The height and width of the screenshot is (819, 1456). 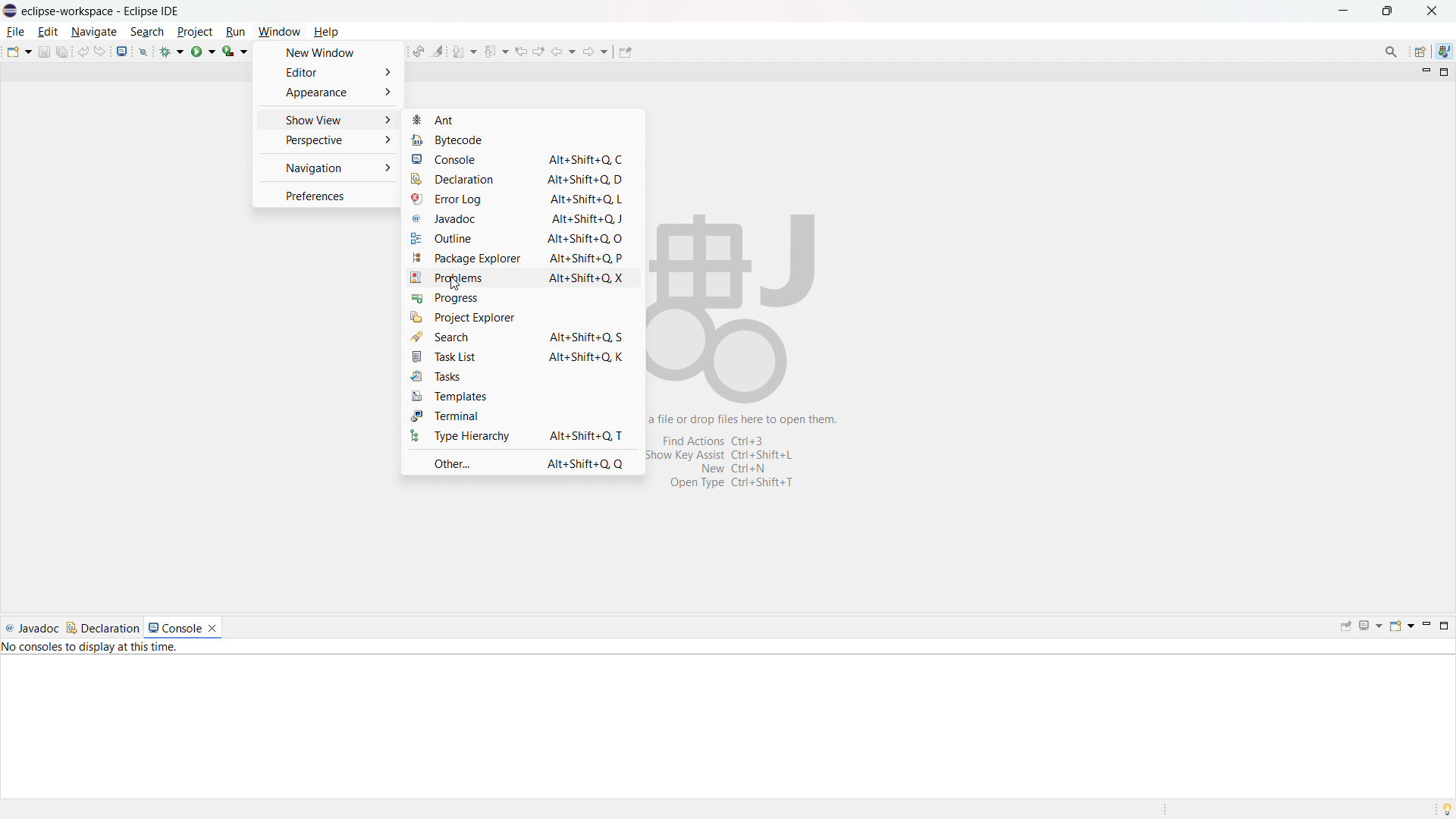 I want to click on declaration, so click(x=102, y=629).